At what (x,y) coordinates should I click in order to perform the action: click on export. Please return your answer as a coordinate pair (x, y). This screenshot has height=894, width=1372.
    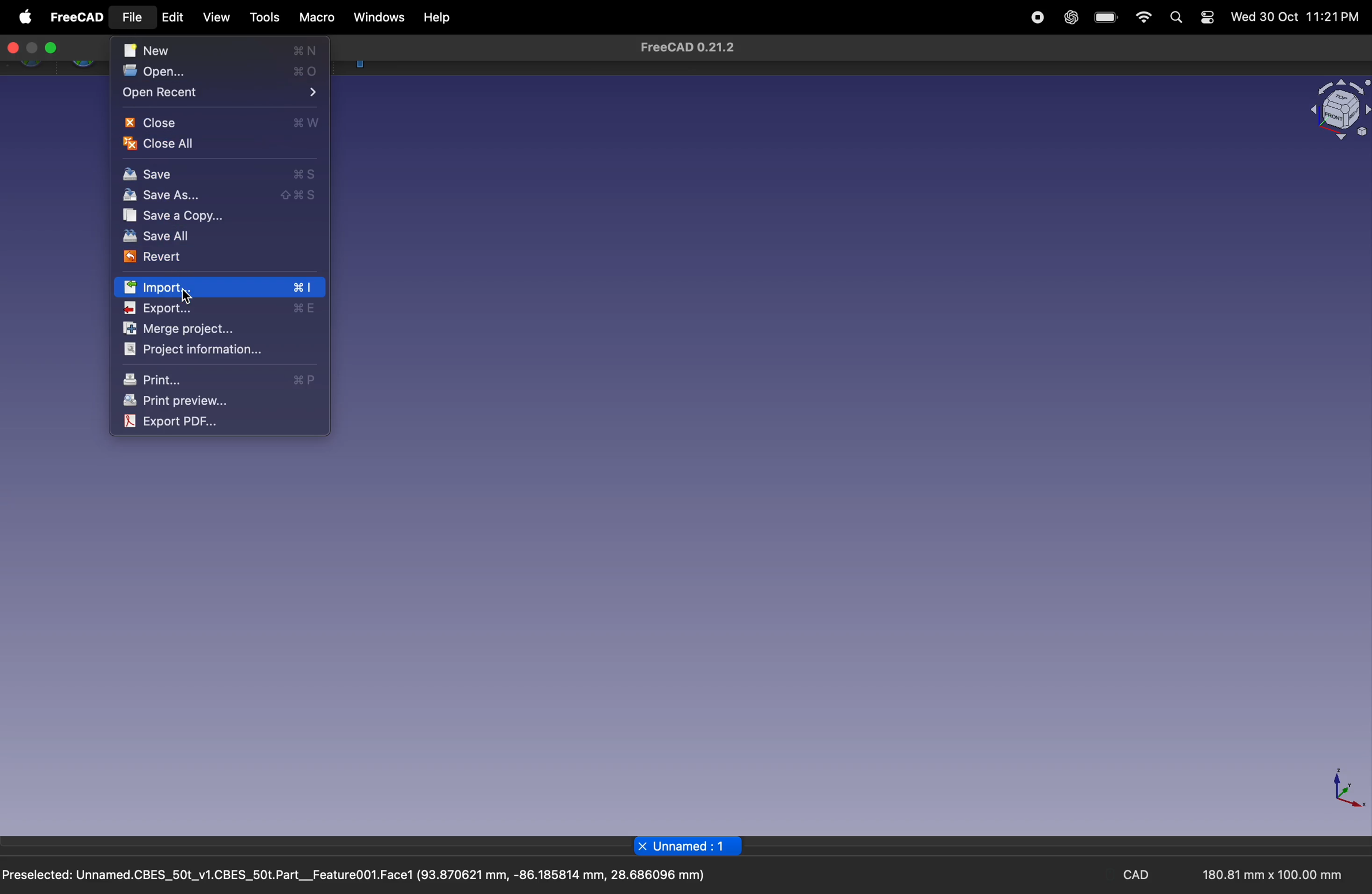
    Looking at the image, I should click on (221, 308).